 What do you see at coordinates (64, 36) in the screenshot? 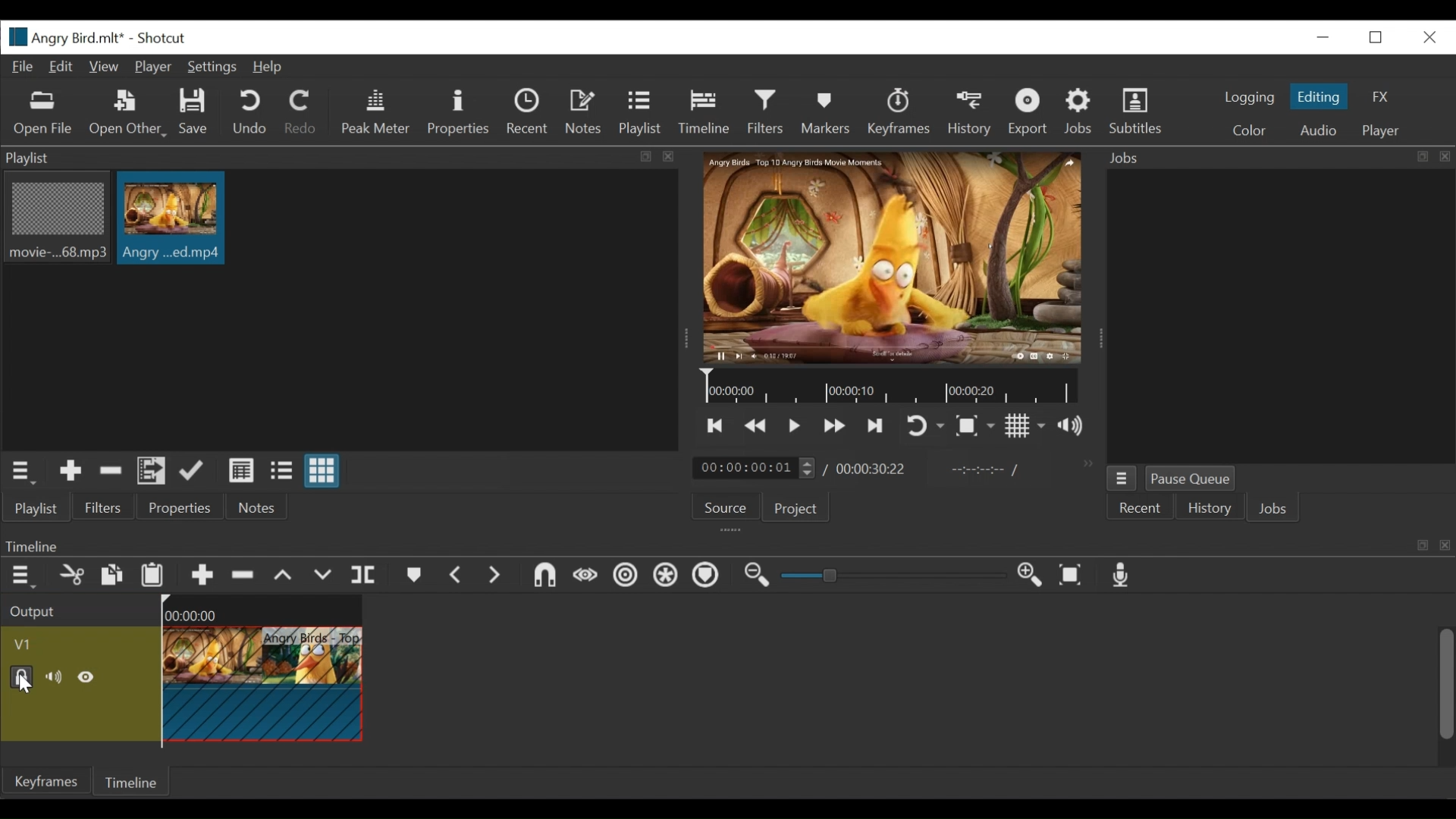
I see `File name` at bounding box center [64, 36].